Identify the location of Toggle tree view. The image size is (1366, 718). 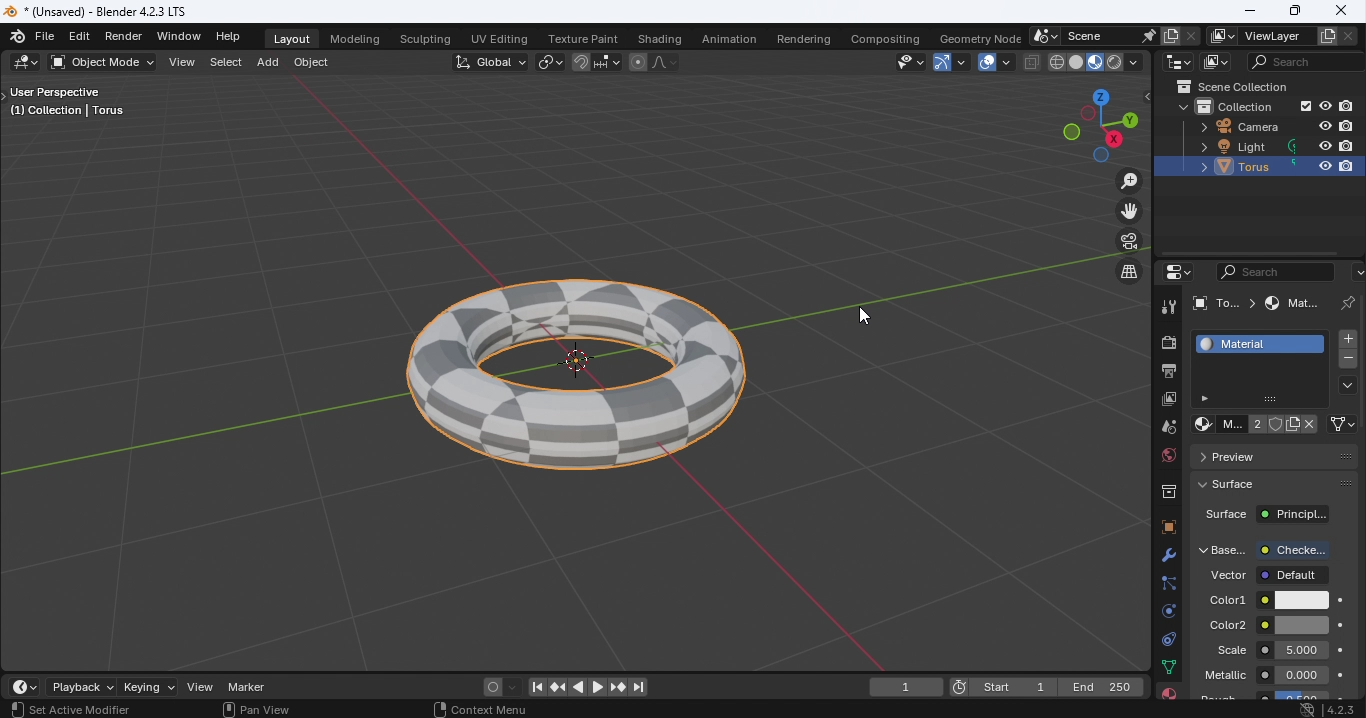
(1146, 96).